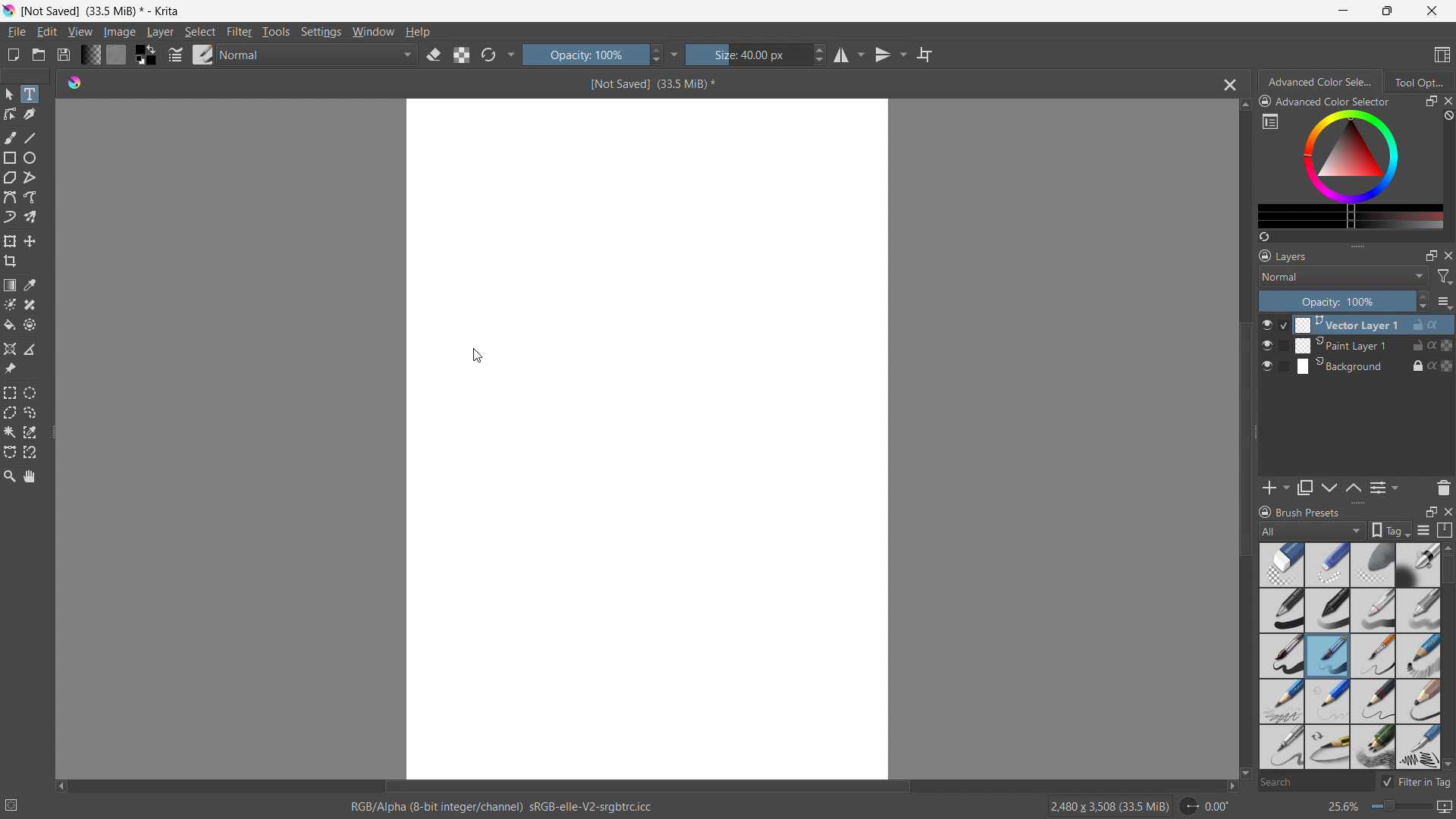 The height and width of the screenshot is (819, 1456). Describe the element at coordinates (30, 197) in the screenshot. I see `freehand path tool` at that location.